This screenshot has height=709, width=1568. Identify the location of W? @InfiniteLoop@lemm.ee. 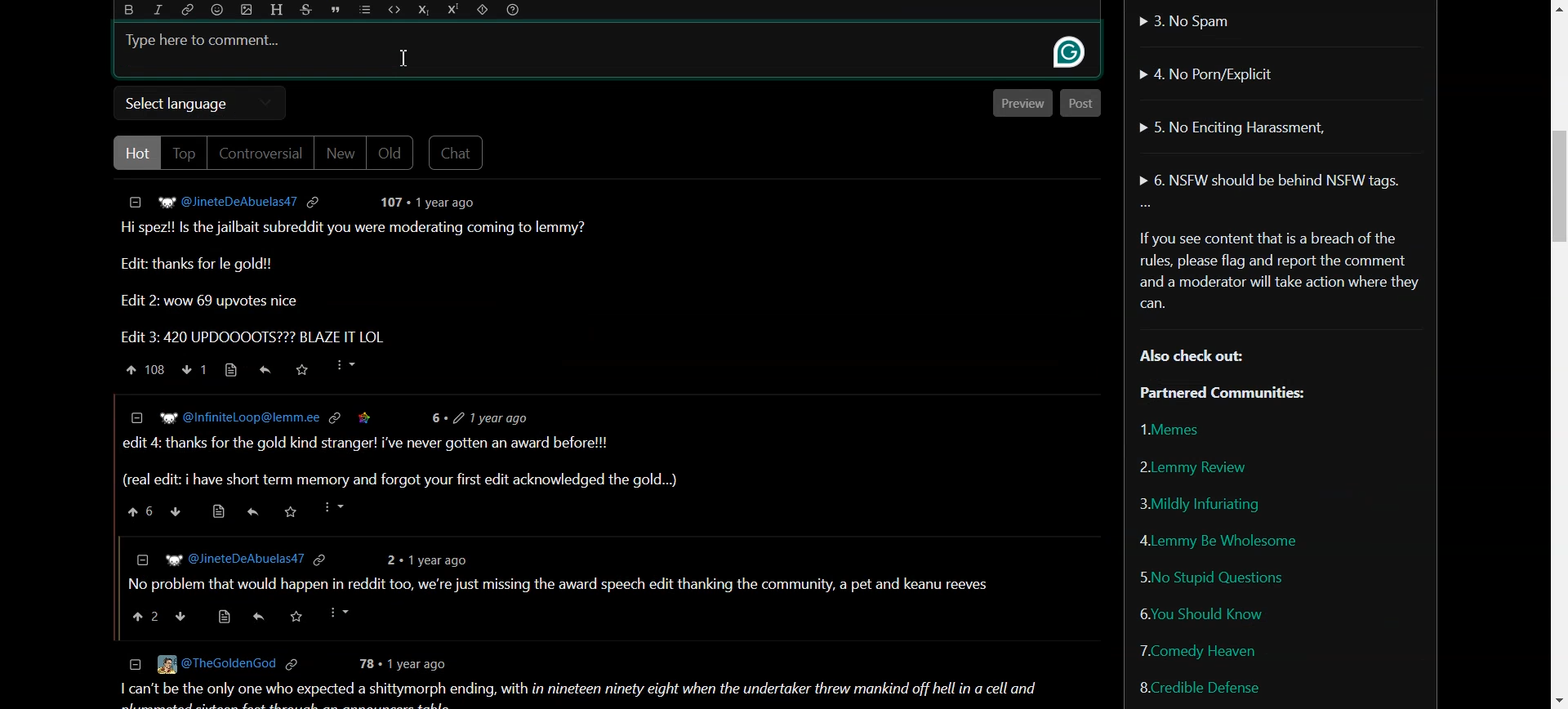
(253, 417).